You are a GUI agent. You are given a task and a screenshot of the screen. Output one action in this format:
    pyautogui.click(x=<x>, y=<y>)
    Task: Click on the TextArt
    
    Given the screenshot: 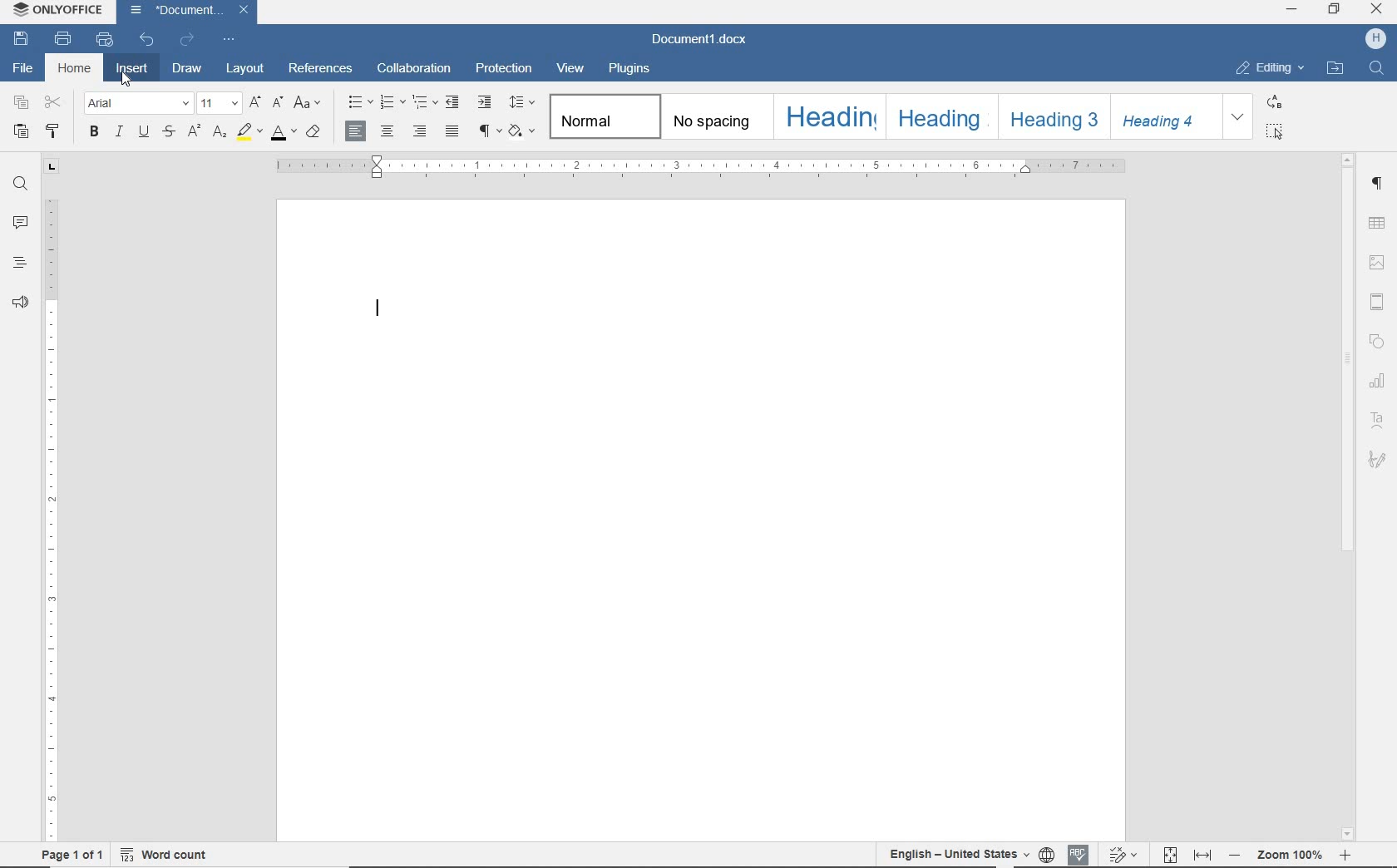 What is the action you would take?
    pyautogui.click(x=1380, y=418)
    